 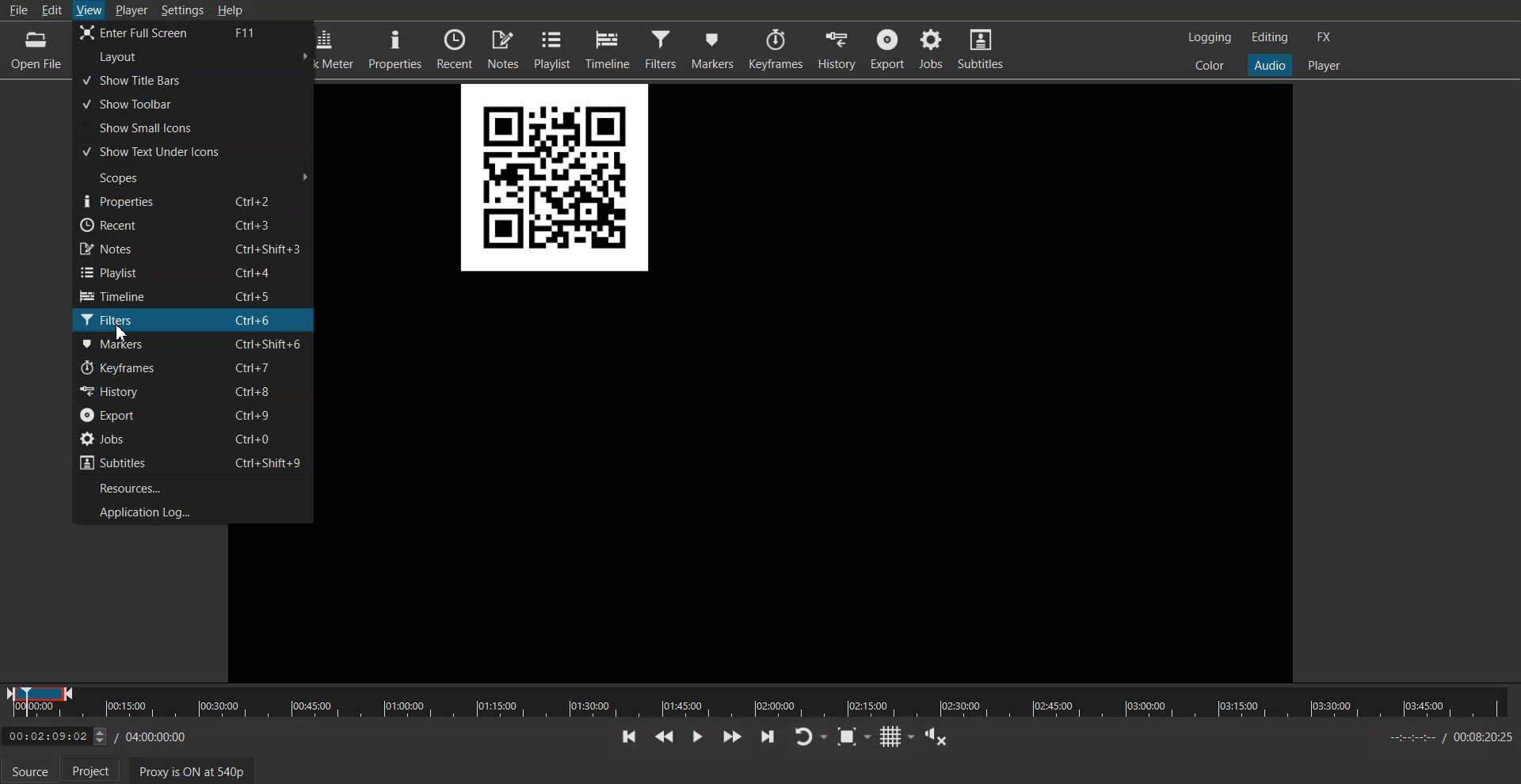 I want to click on Toggle play or pause, so click(x=698, y=736).